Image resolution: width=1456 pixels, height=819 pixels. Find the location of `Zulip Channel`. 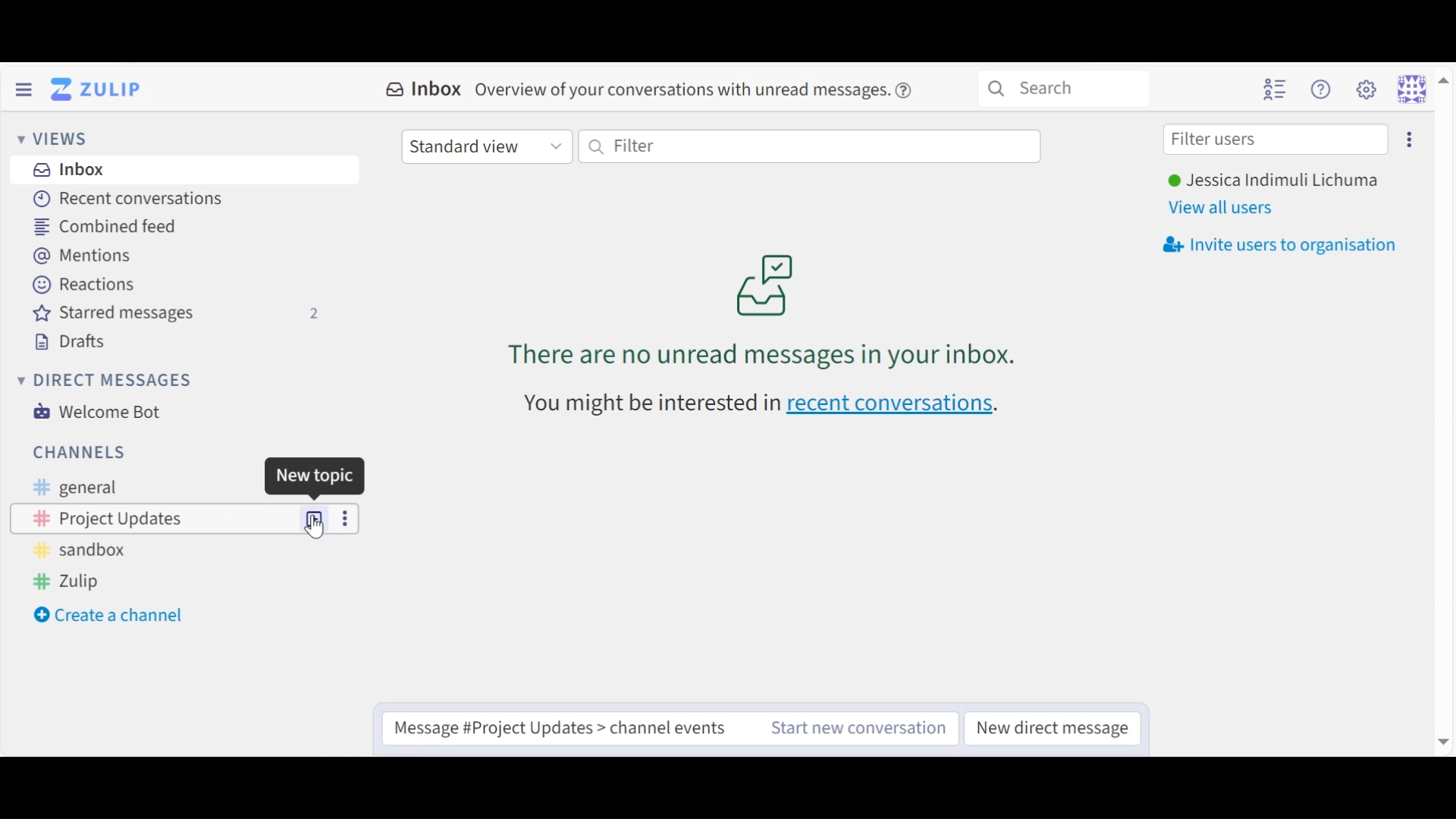

Zulip Channel is located at coordinates (77, 582).